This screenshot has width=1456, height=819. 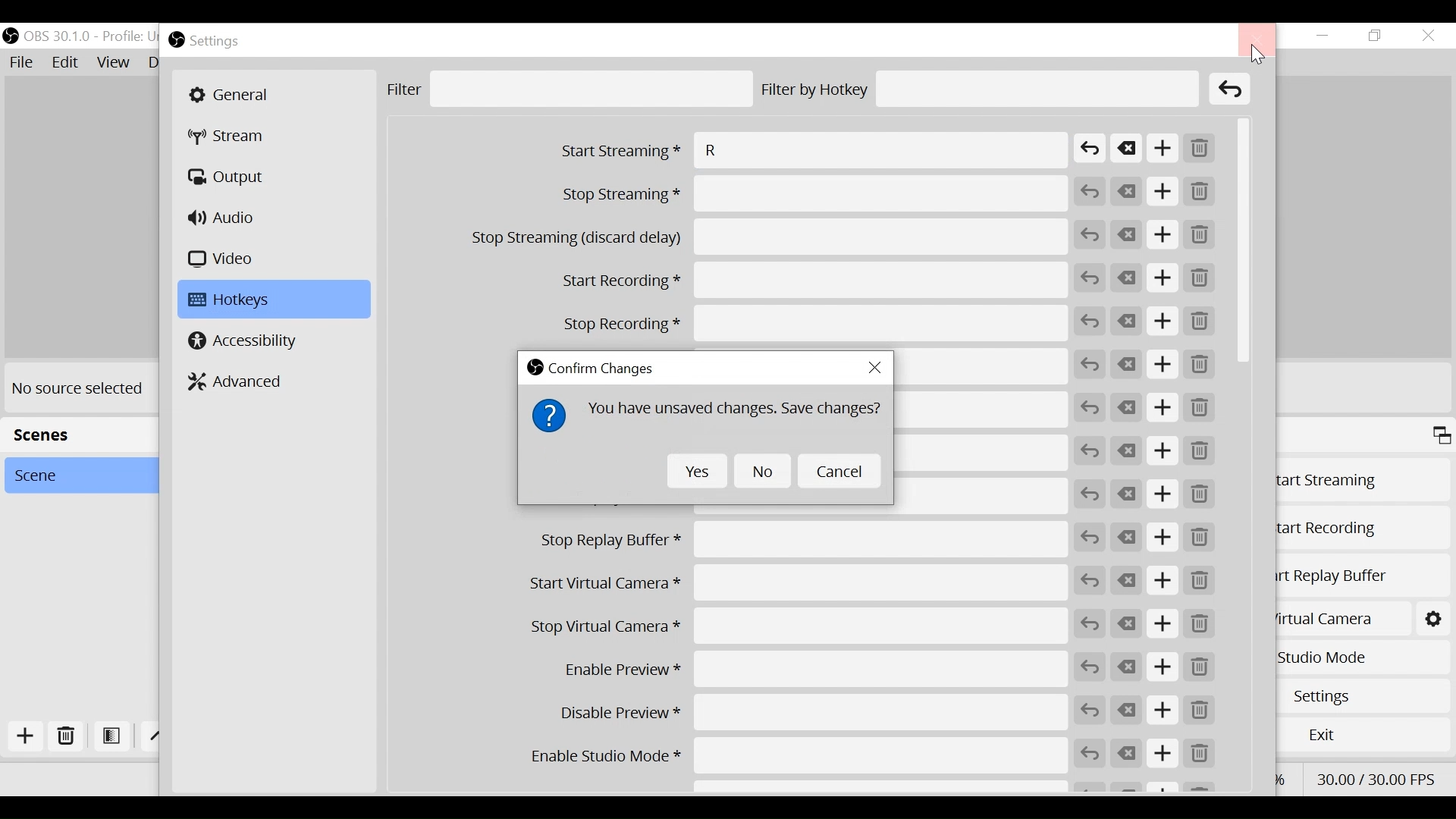 What do you see at coordinates (1202, 624) in the screenshot?
I see `Remove` at bounding box center [1202, 624].